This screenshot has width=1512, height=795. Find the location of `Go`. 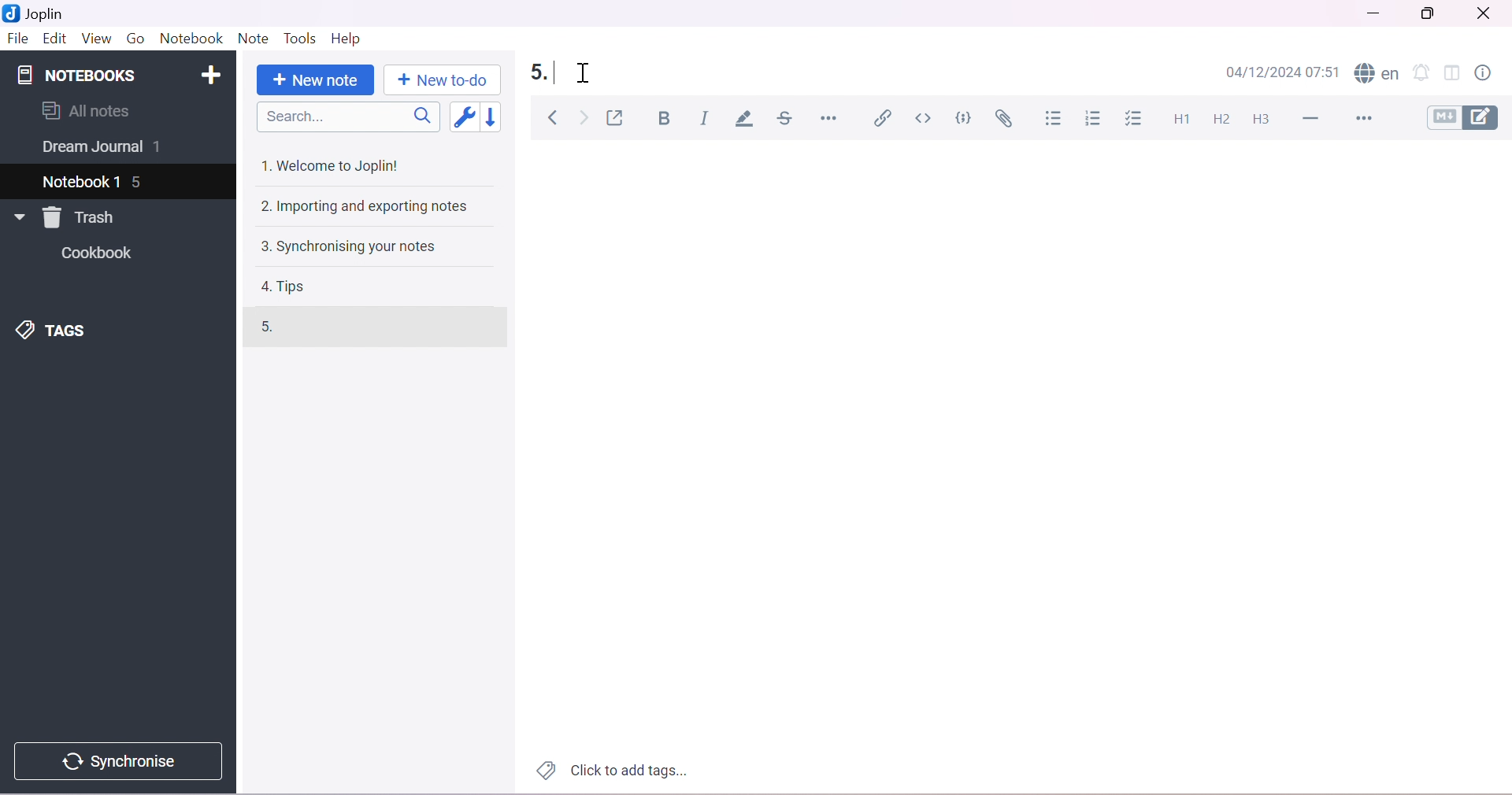

Go is located at coordinates (135, 37).